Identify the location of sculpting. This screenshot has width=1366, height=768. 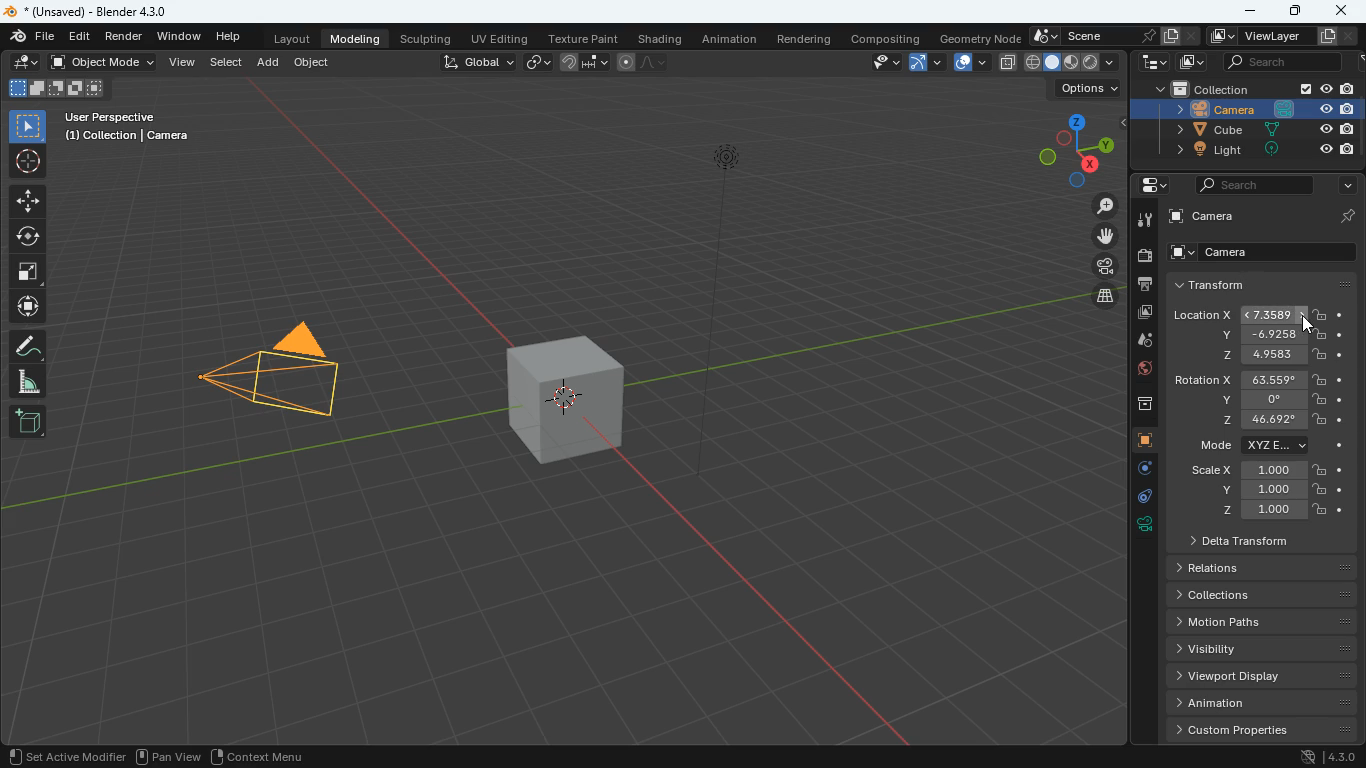
(426, 39).